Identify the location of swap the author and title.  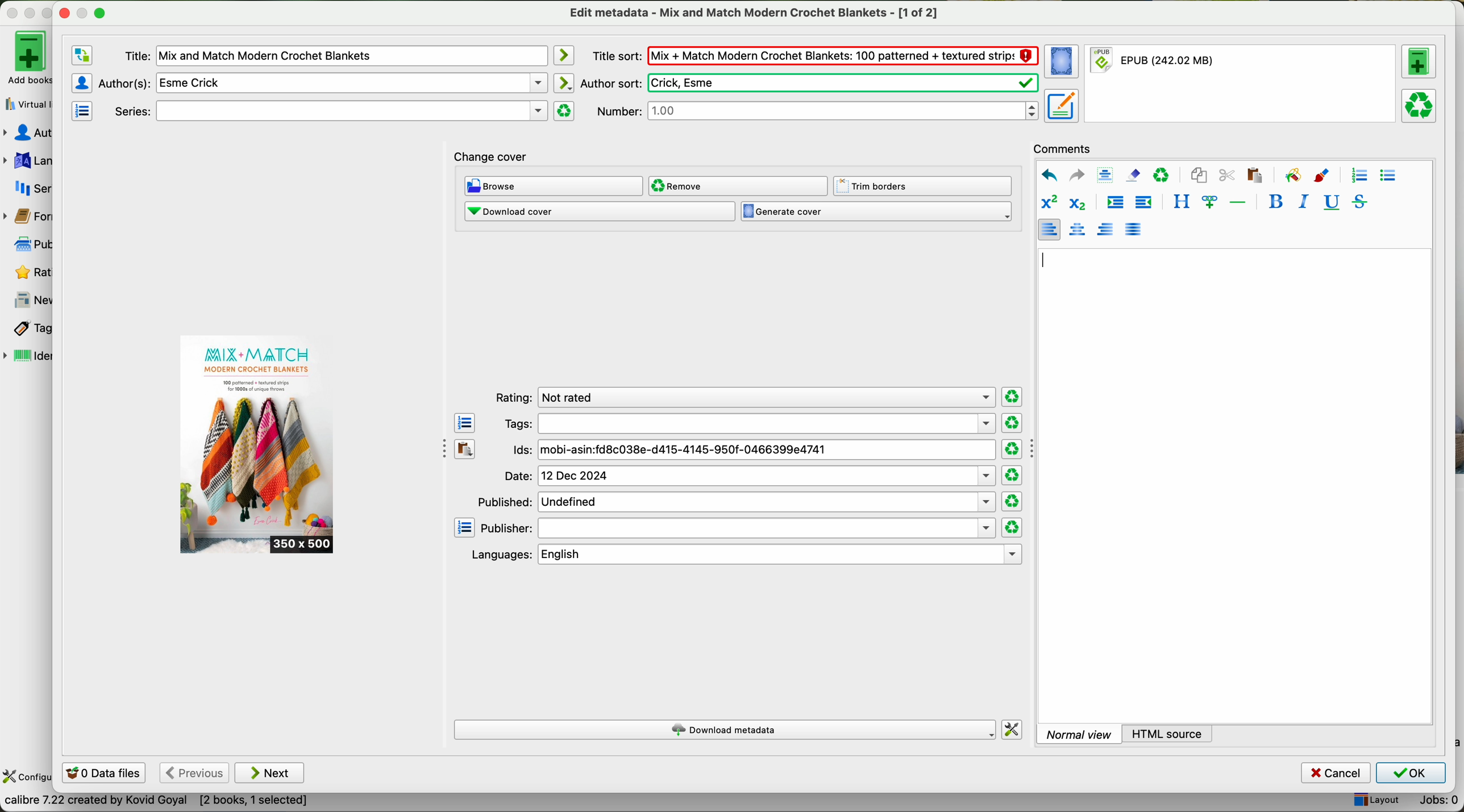
(82, 56).